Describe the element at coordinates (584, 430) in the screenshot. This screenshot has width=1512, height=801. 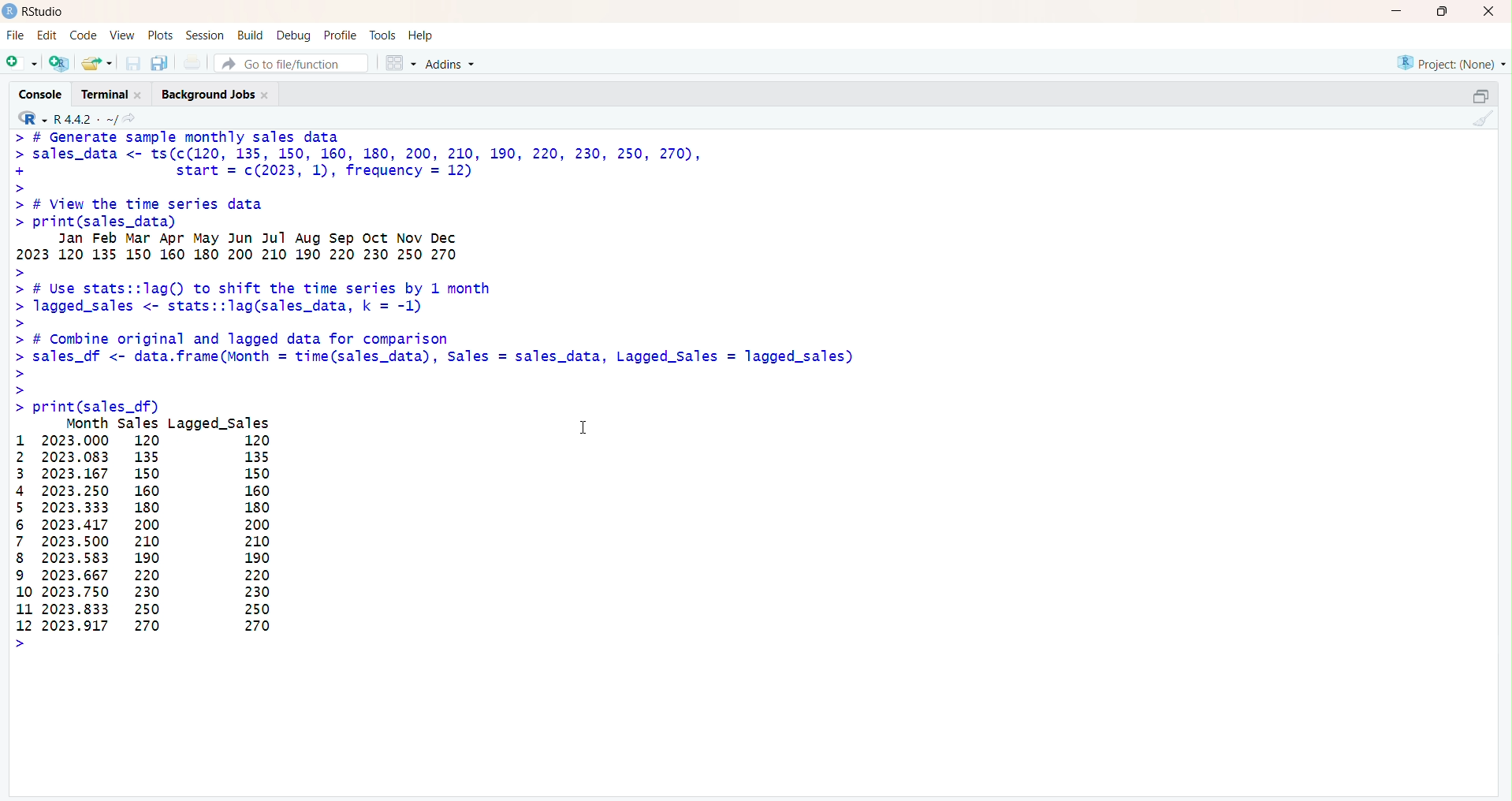
I see `cursor` at that location.